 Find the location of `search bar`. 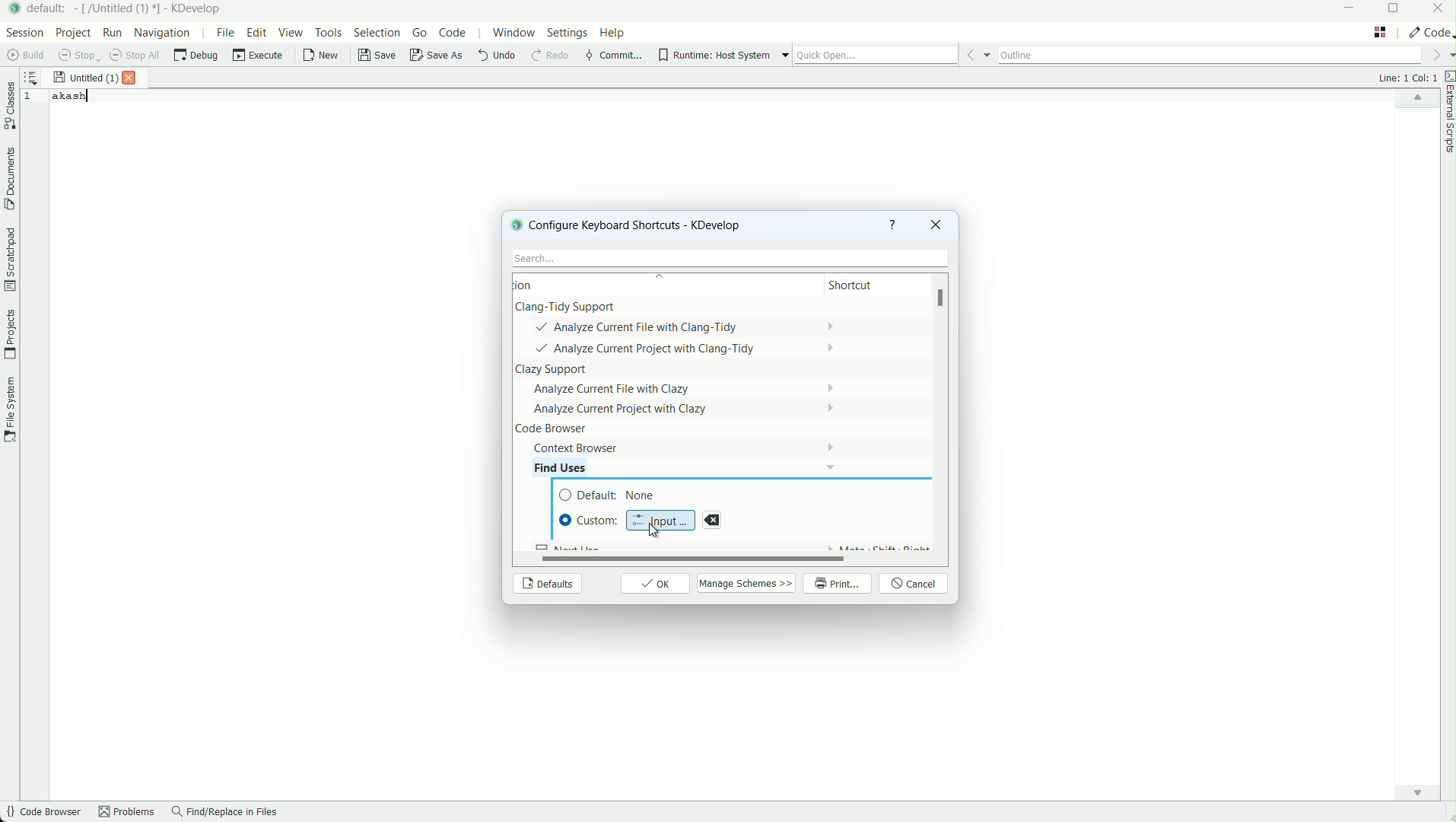

search bar is located at coordinates (726, 258).